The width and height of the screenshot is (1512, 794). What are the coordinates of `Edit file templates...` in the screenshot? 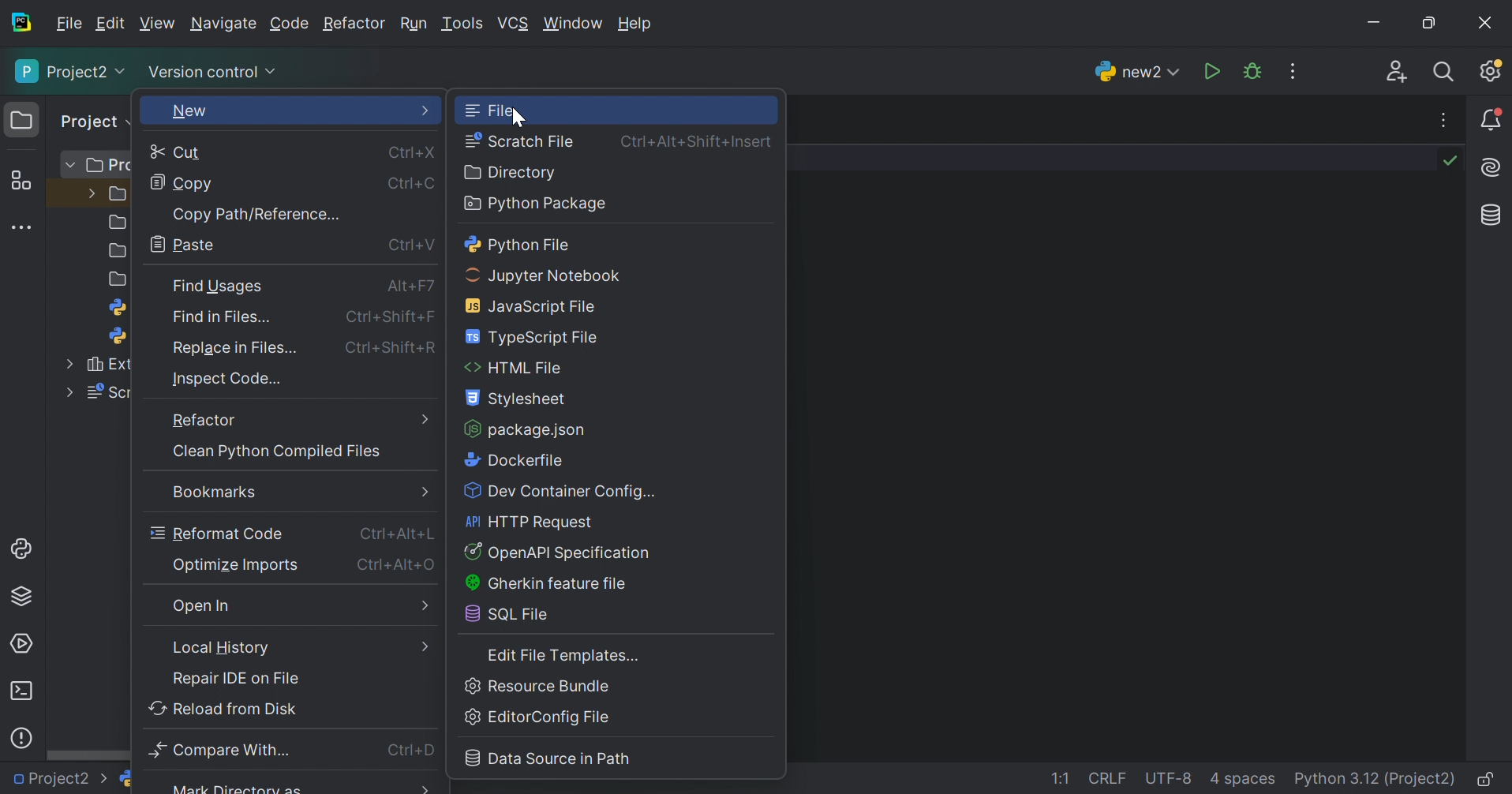 It's located at (566, 656).